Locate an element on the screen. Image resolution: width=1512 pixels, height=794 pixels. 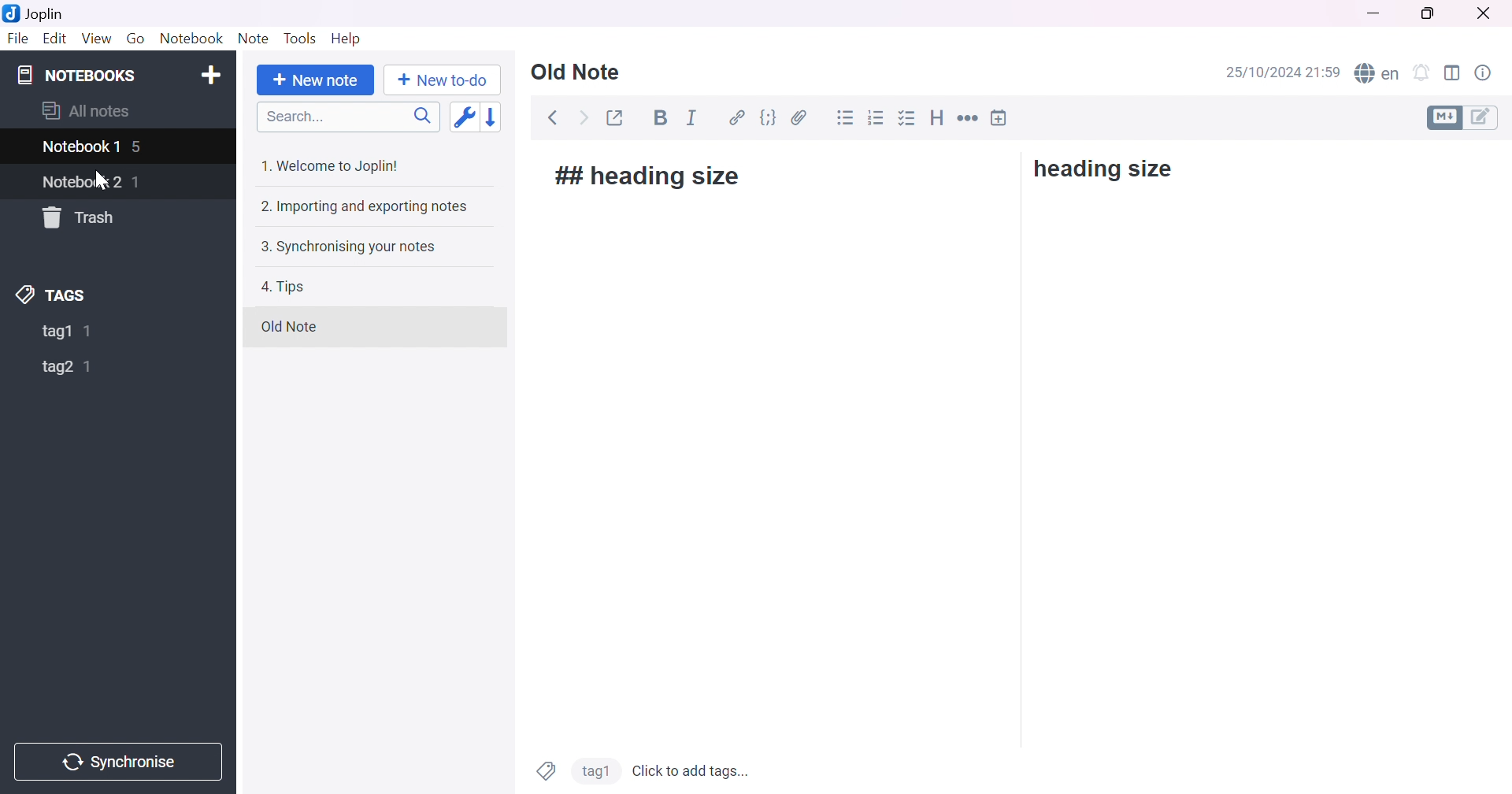
Go is located at coordinates (136, 42).